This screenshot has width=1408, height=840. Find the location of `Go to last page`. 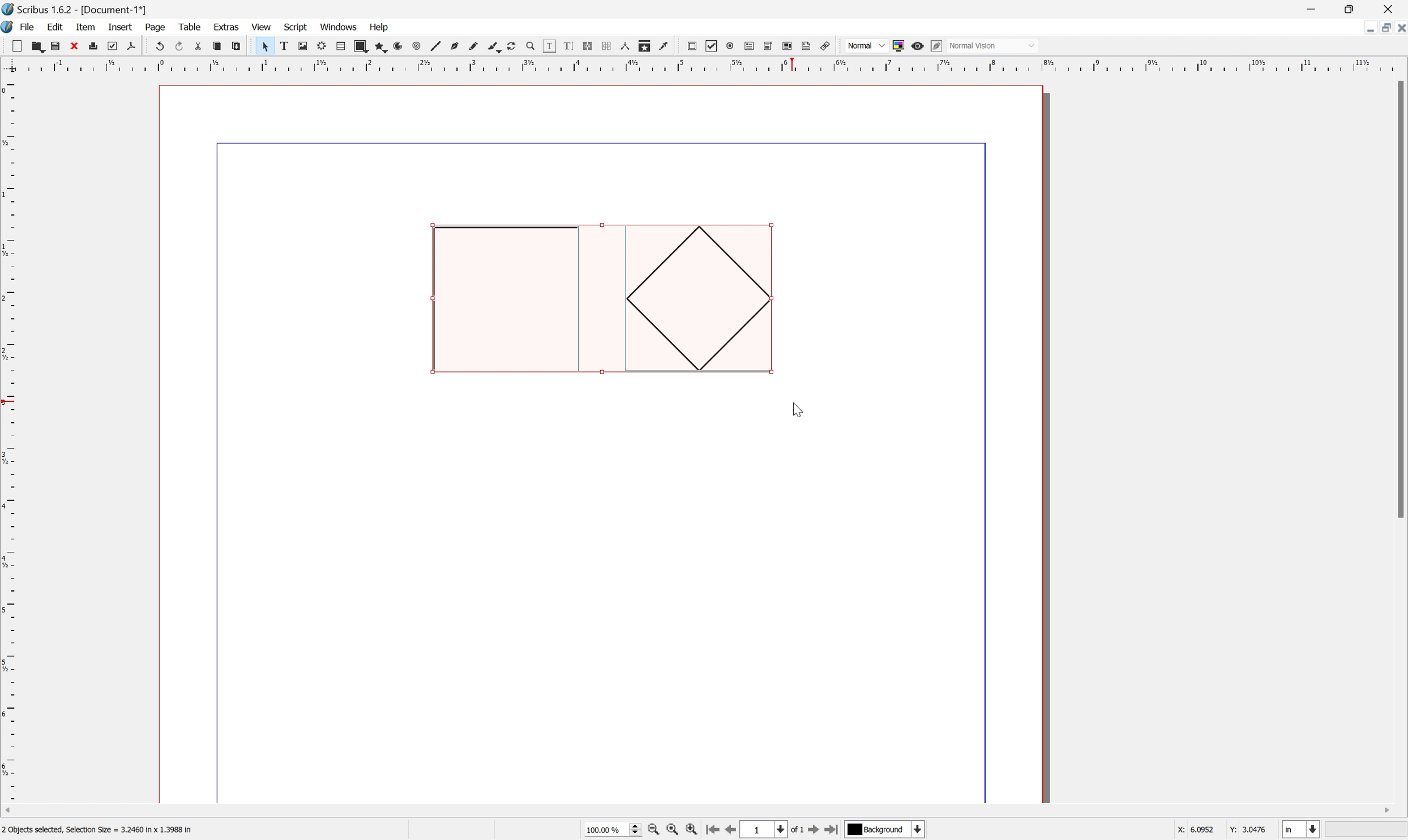

Go to last page is located at coordinates (833, 828).